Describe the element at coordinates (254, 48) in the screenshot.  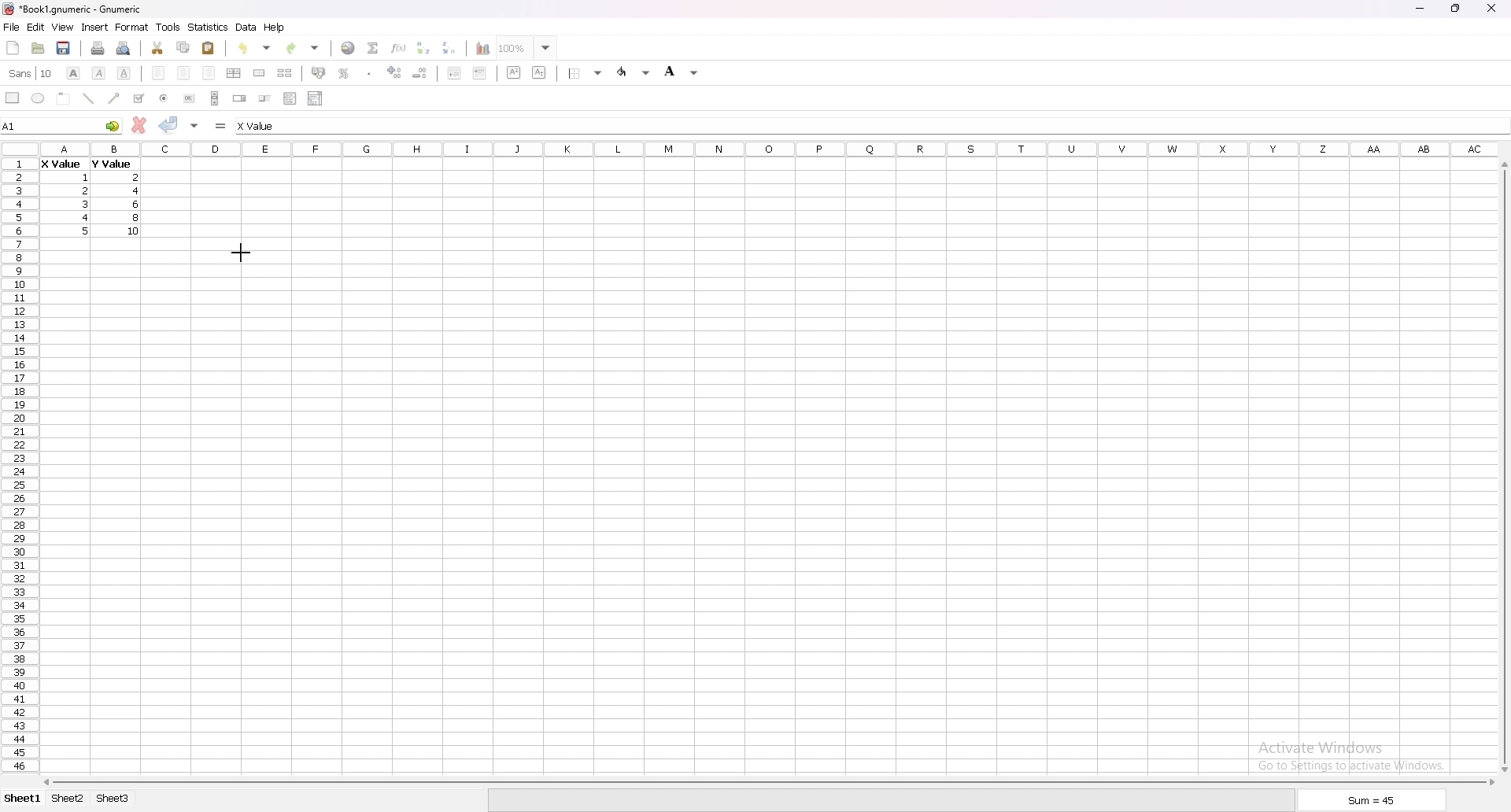
I see `undo` at that location.